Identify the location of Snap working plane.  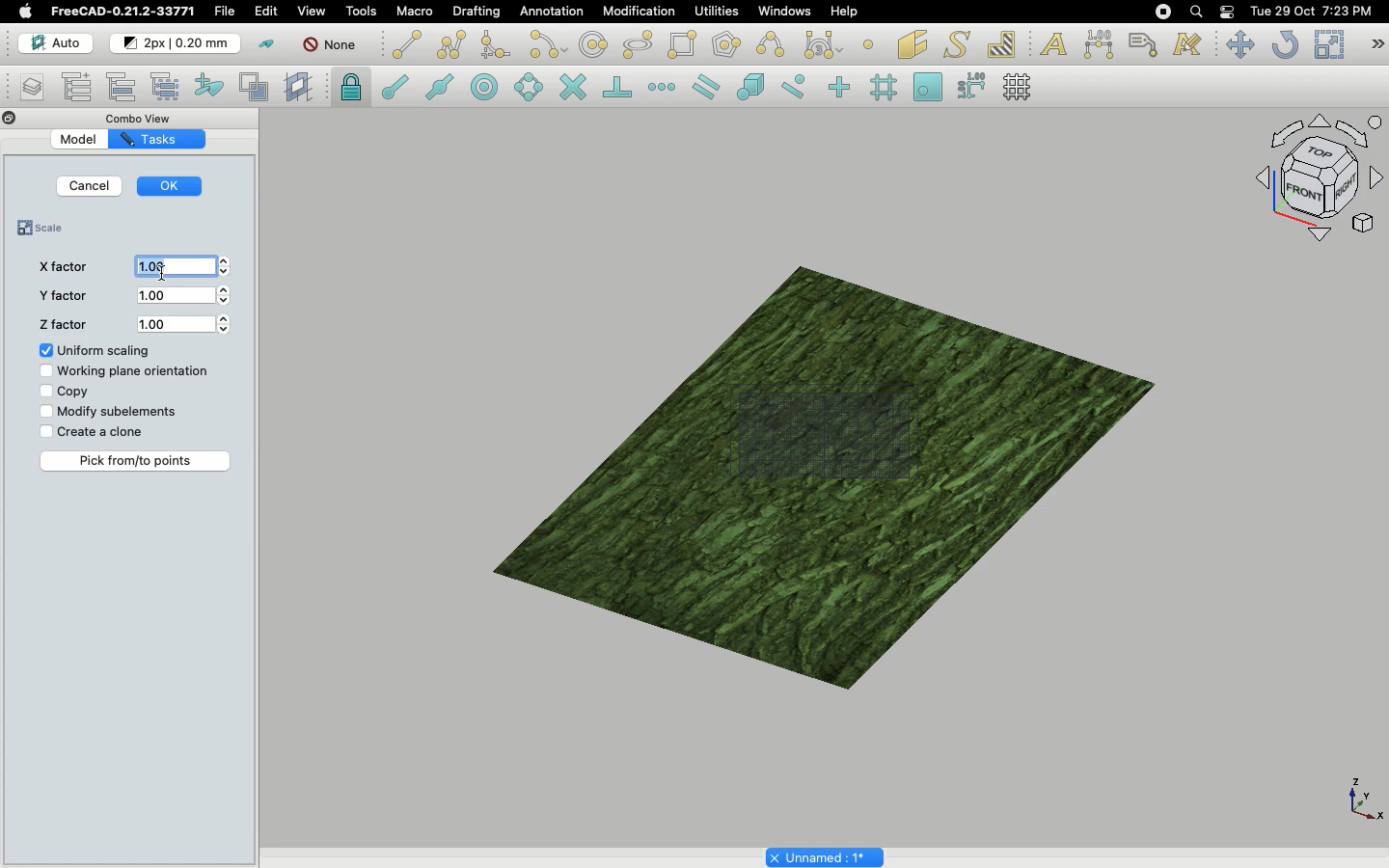
(925, 84).